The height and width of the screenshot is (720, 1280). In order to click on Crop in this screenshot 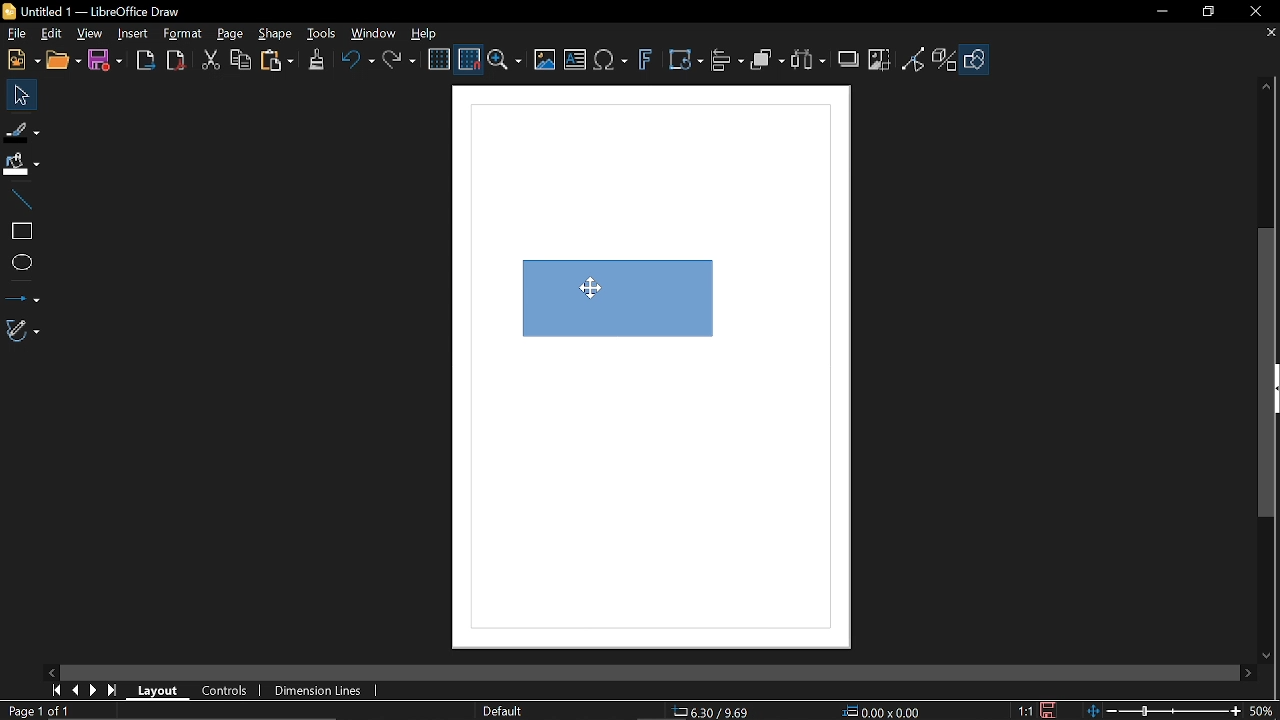, I will do `click(881, 61)`.